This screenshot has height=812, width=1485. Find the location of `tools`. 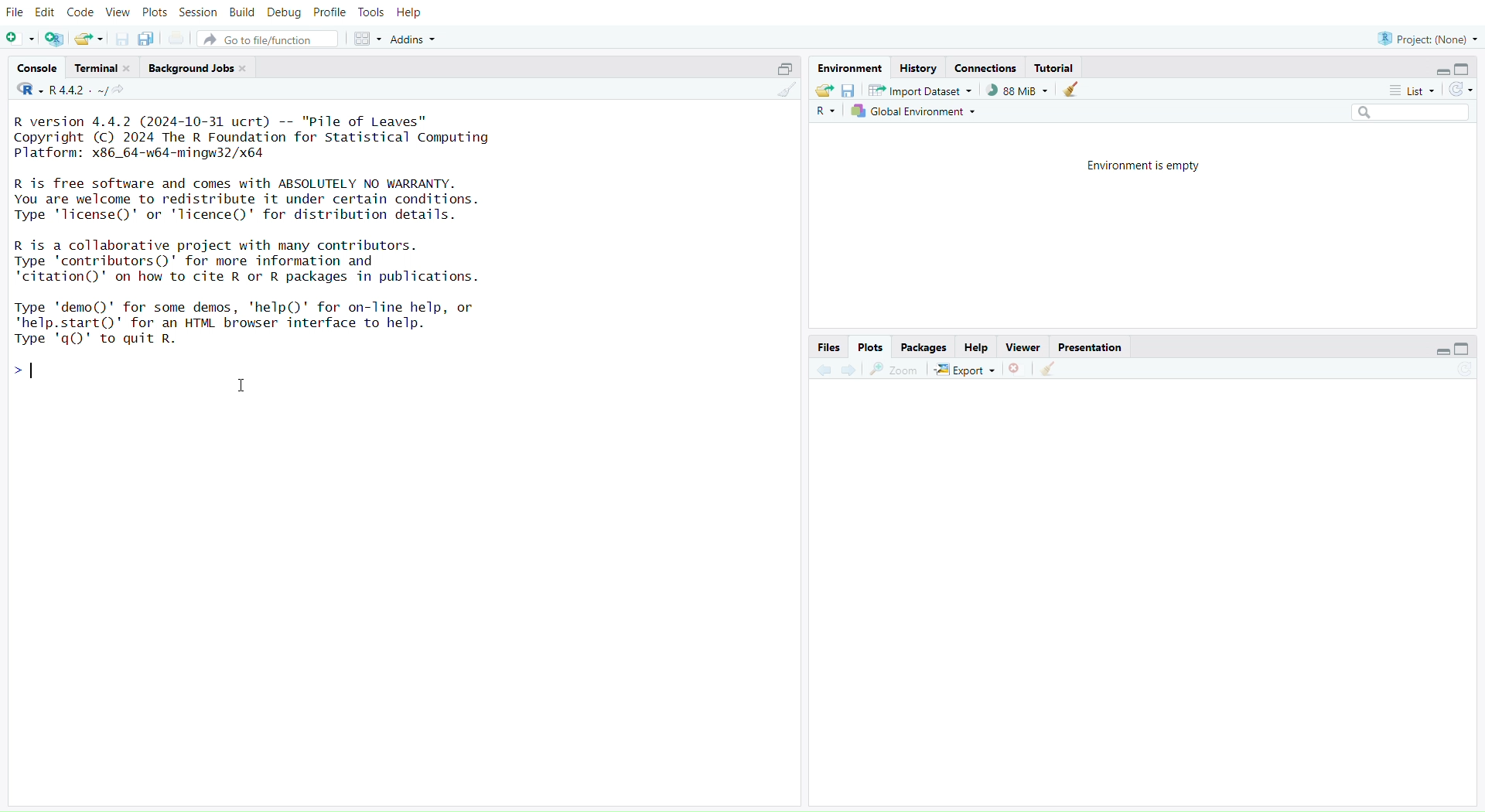

tools is located at coordinates (370, 12).